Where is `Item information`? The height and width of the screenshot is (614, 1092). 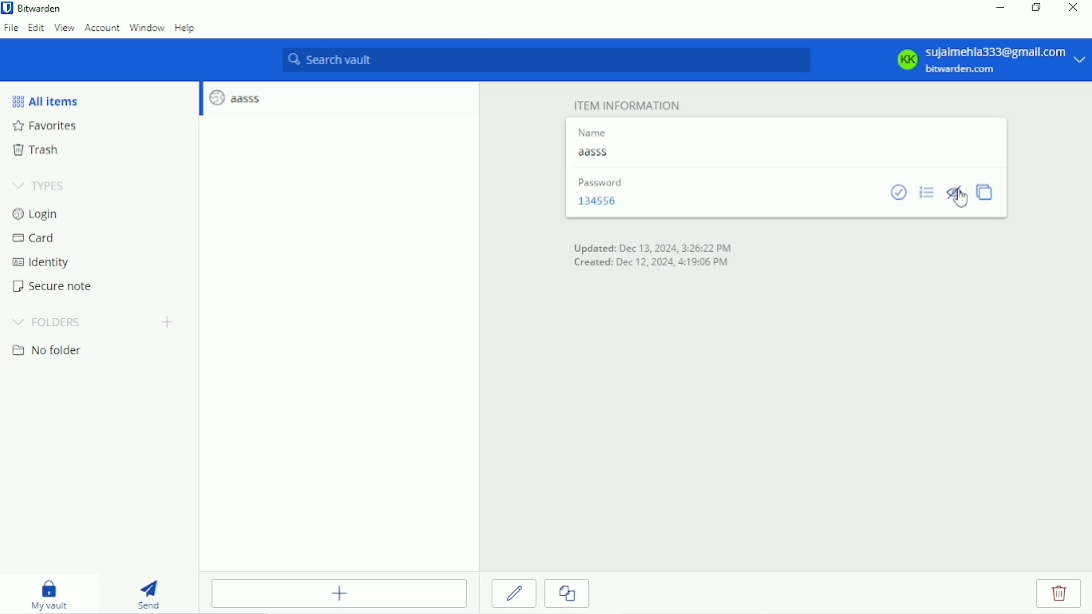 Item information is located at coordinates (626, 102).